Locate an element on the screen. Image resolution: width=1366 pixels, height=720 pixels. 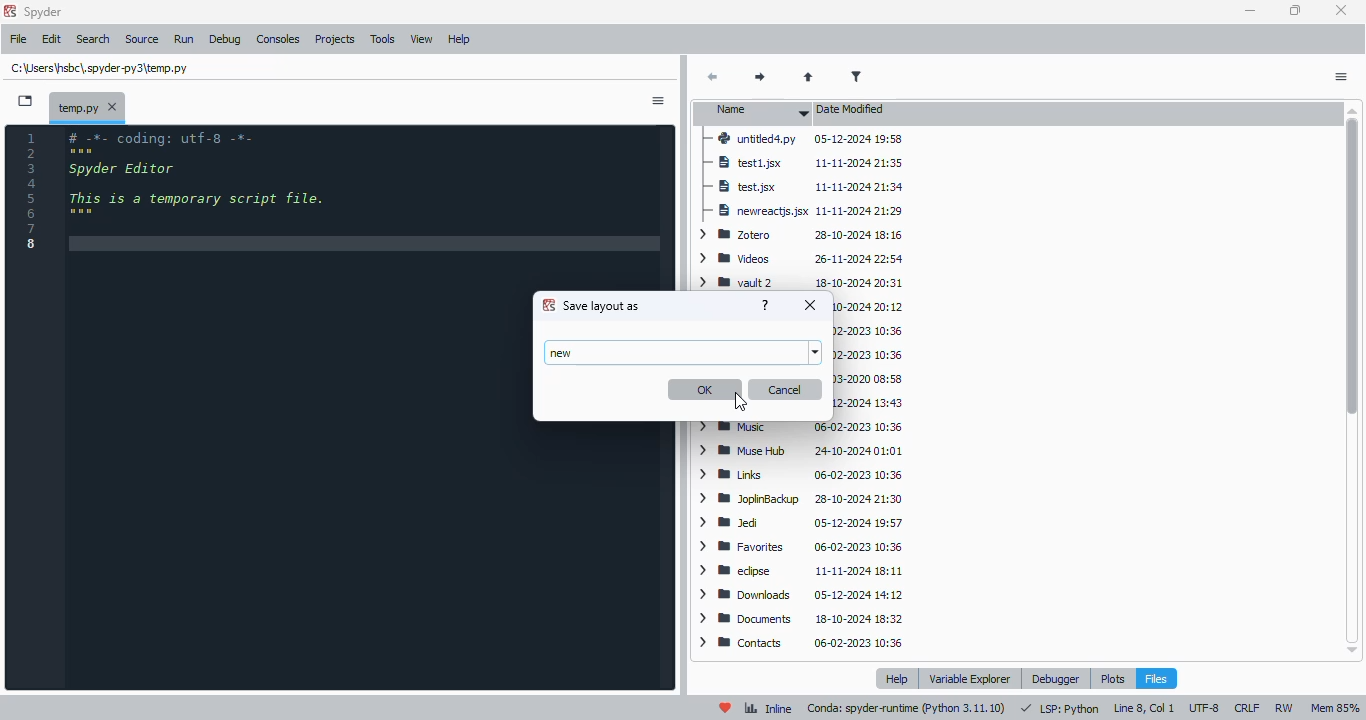
close is located at coordinates (809, 305).